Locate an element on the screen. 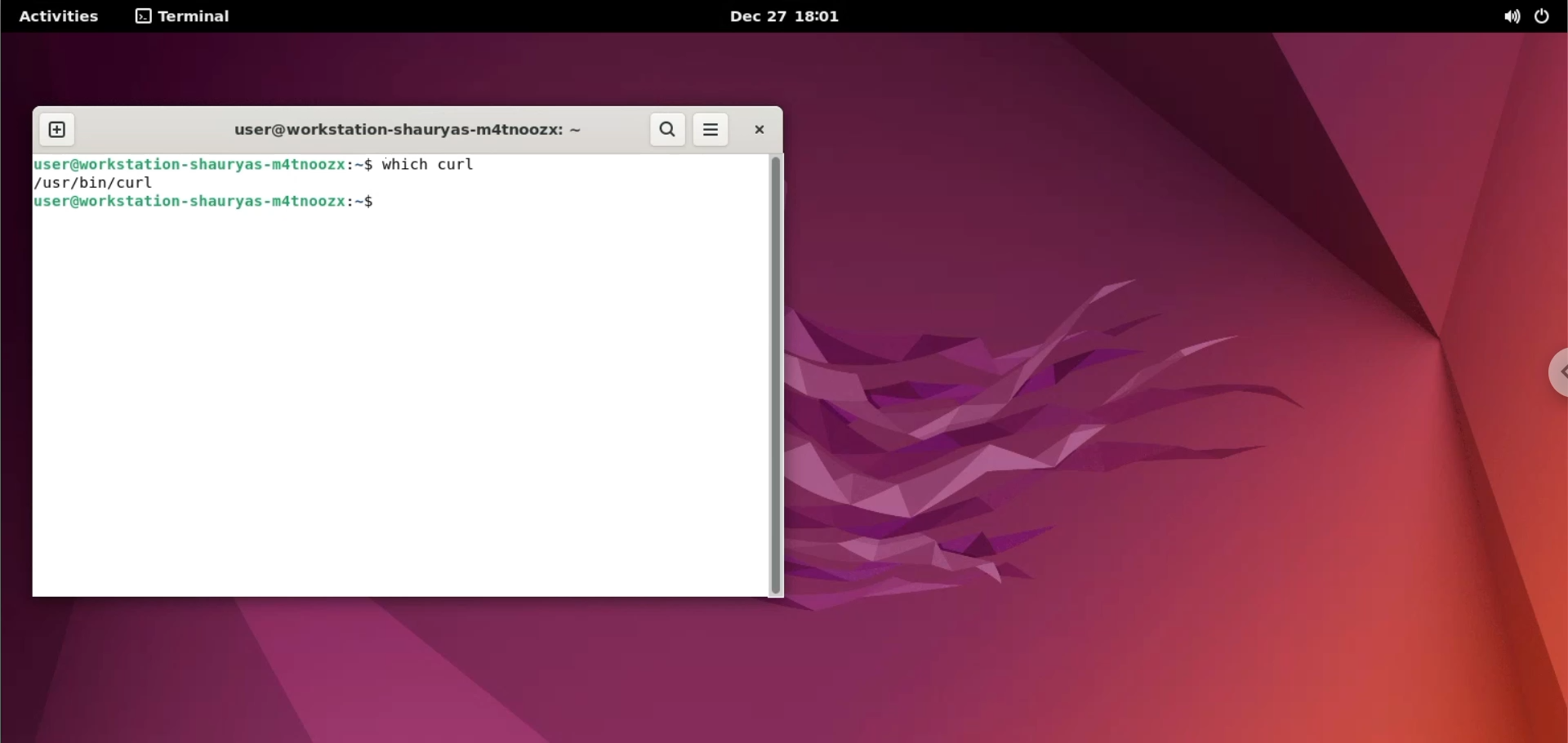 The height and width of the screenshot is (743, 1568). power options is located at coordinates (1542, 19).